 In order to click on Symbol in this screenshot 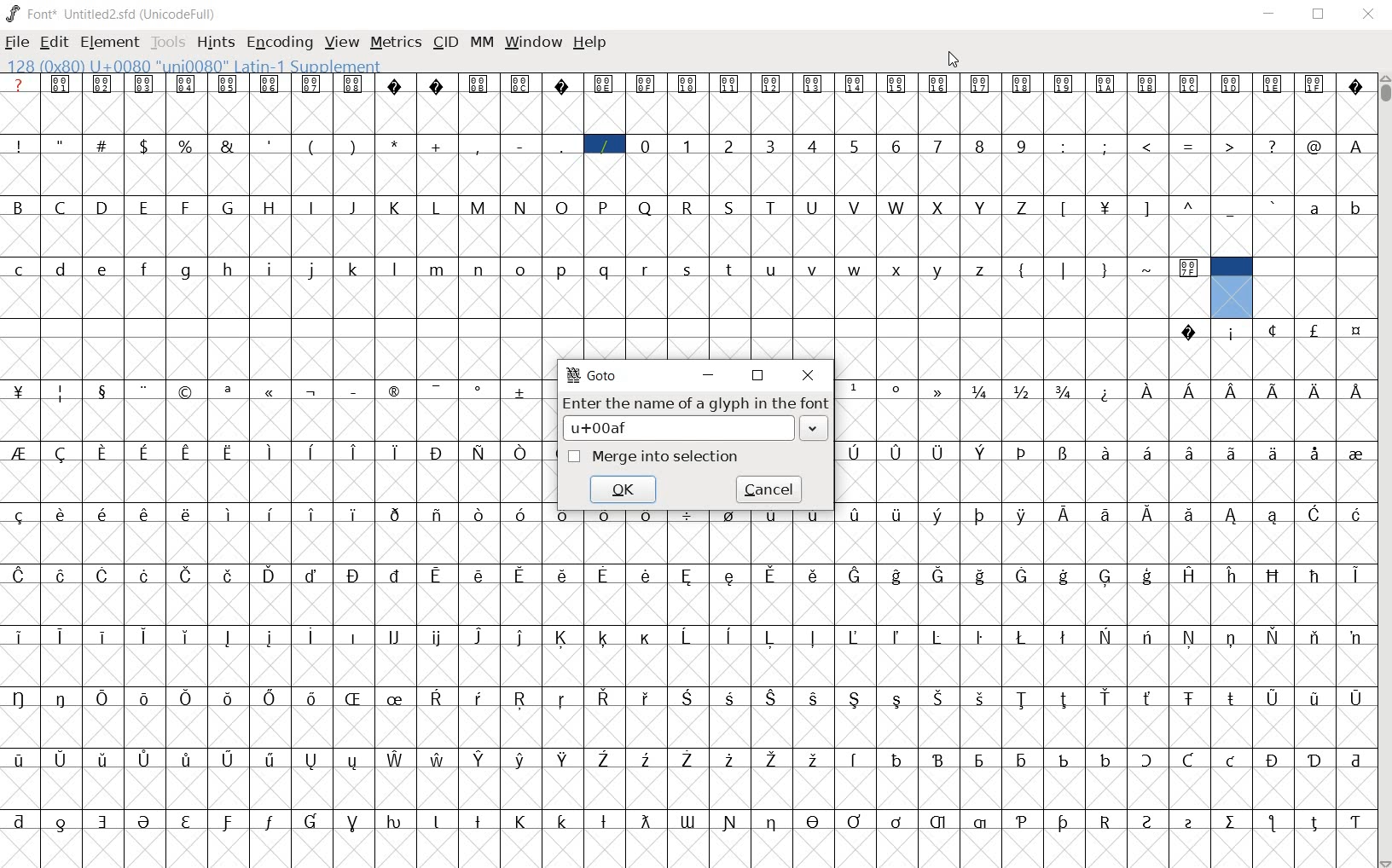, I will do `click(523, 760)`.